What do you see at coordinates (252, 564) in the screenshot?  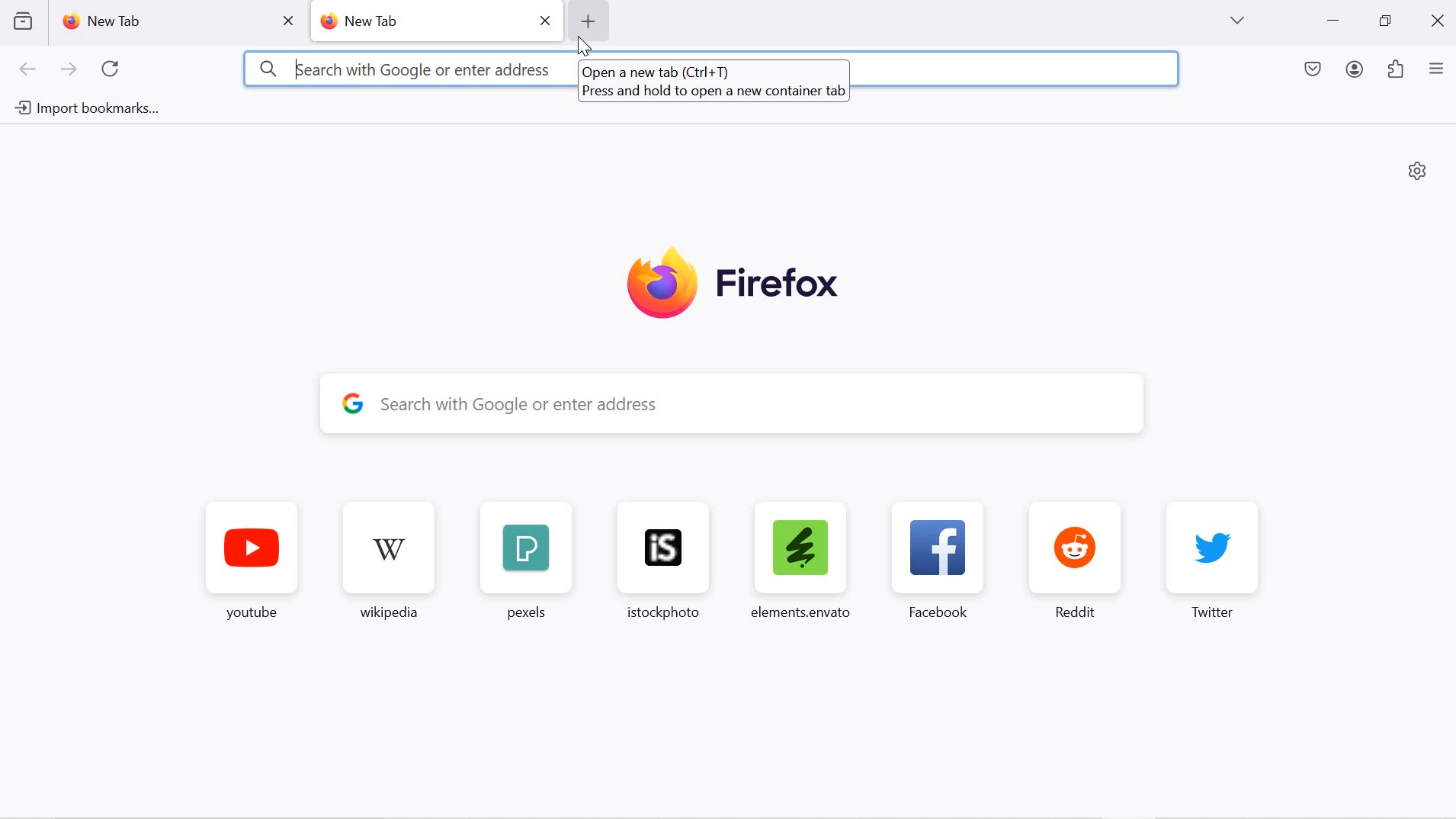 I see `youtube favorite` at bounding box center [252, 564].